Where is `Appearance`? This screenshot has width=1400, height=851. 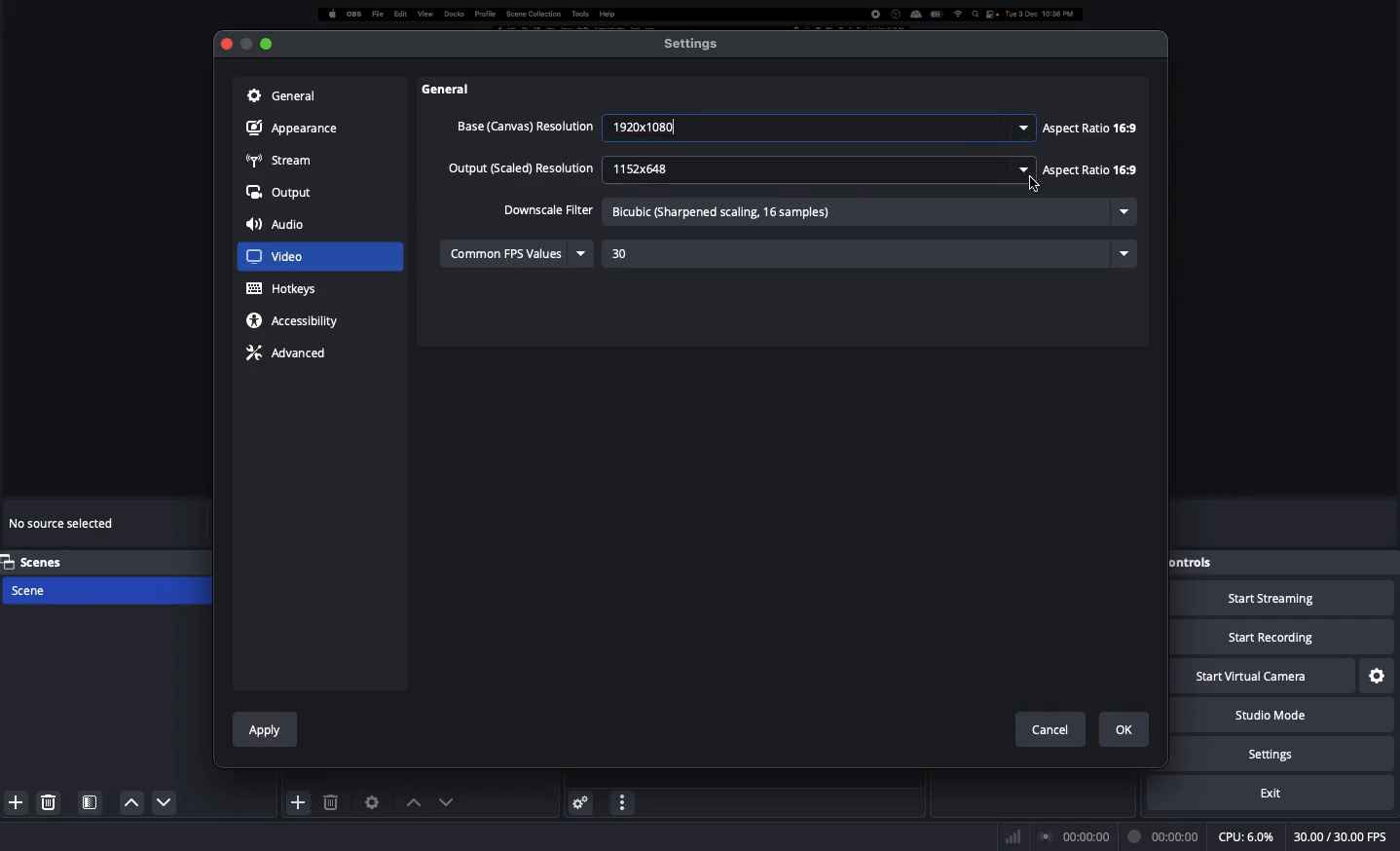 Appearance is located at coordinates (297, 127).